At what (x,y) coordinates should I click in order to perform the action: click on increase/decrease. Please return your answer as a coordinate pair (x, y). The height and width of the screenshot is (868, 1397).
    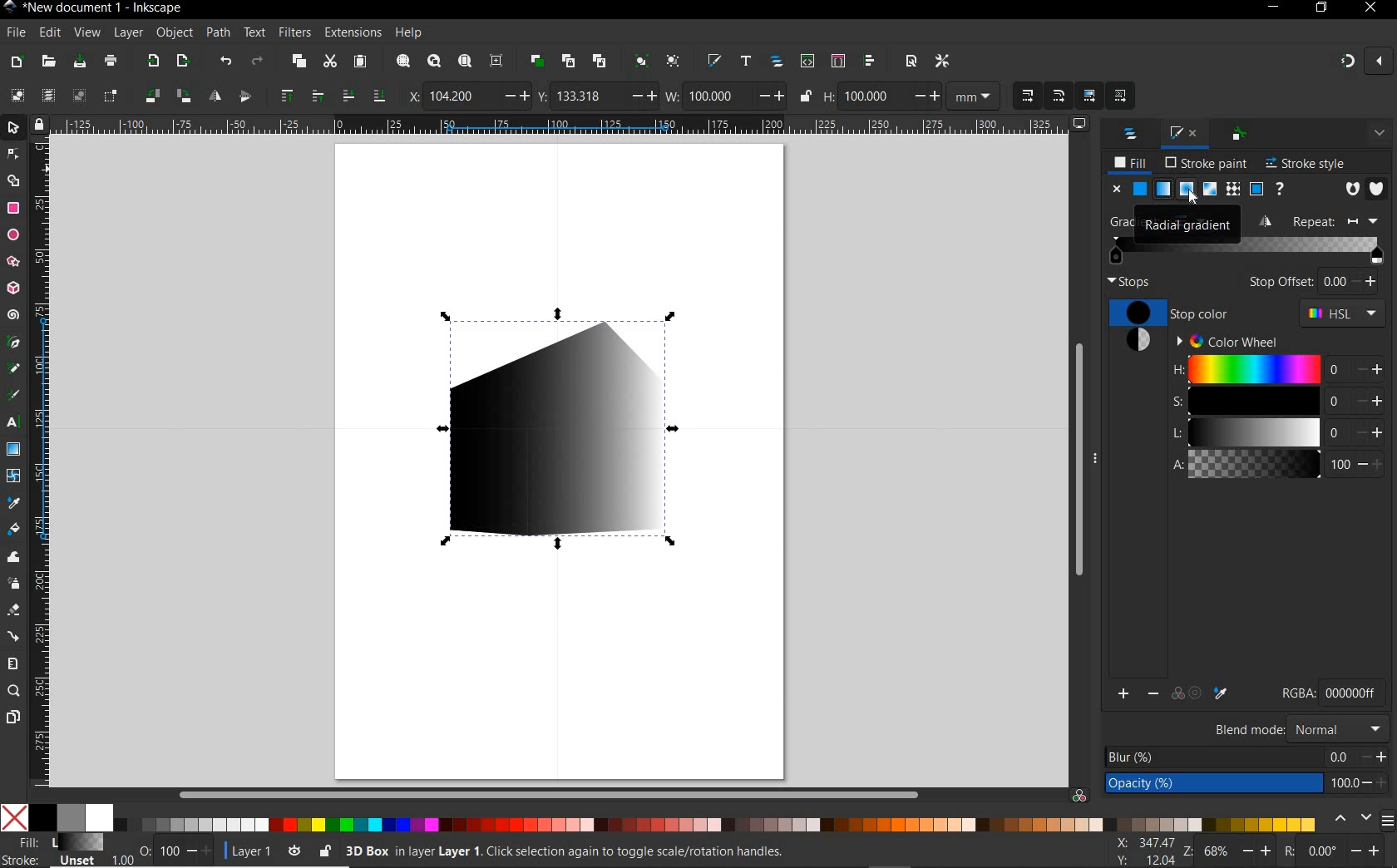
    Looking at the image, I should click on (642, 96).